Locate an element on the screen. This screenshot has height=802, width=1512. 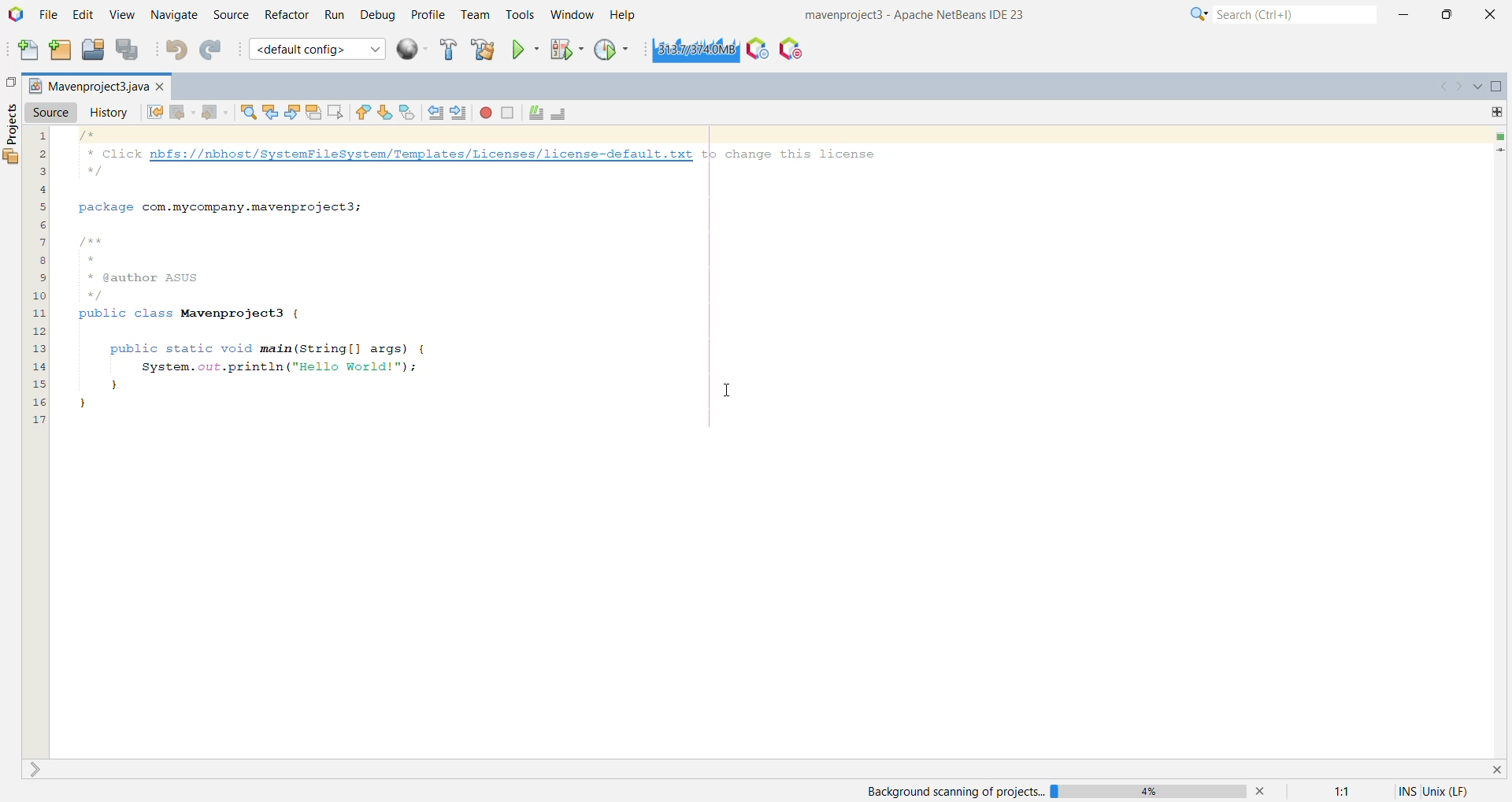
Current Line is located at coordinates (1499, 151).